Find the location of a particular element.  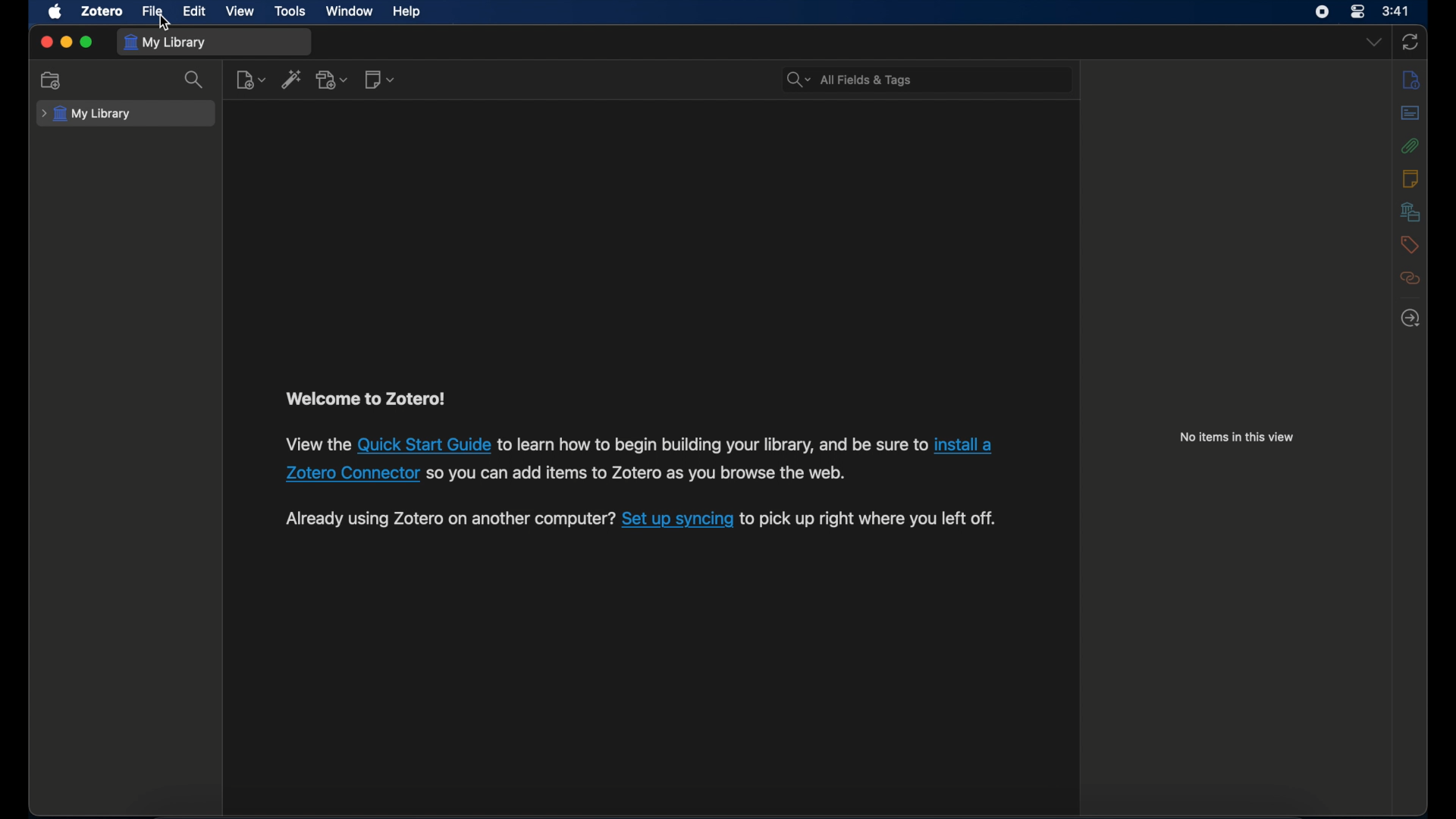

minimize is located at coordinates (67, 42).